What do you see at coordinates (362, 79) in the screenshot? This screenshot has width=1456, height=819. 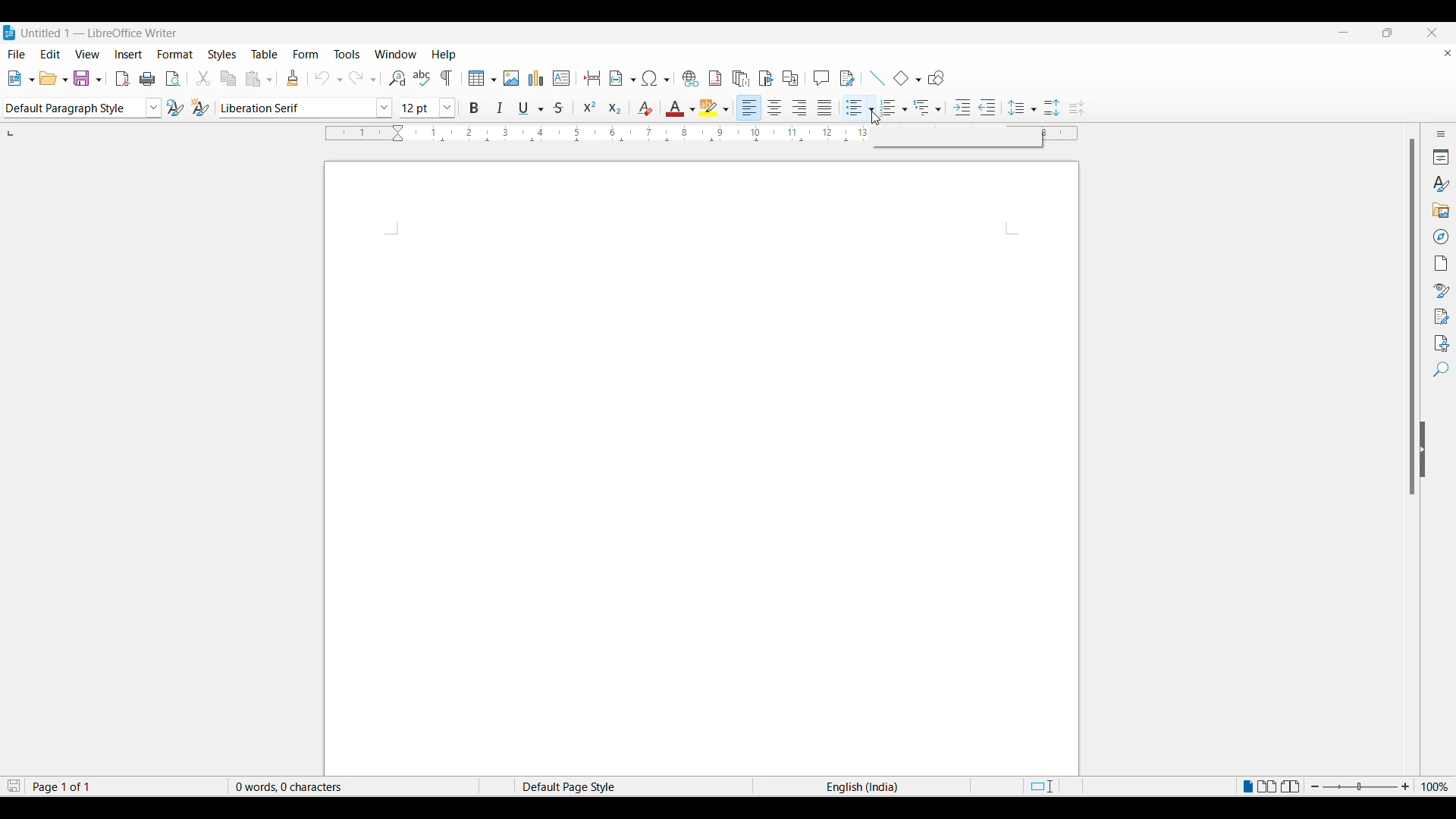 I see `redo` at bounding box center [362, 79].